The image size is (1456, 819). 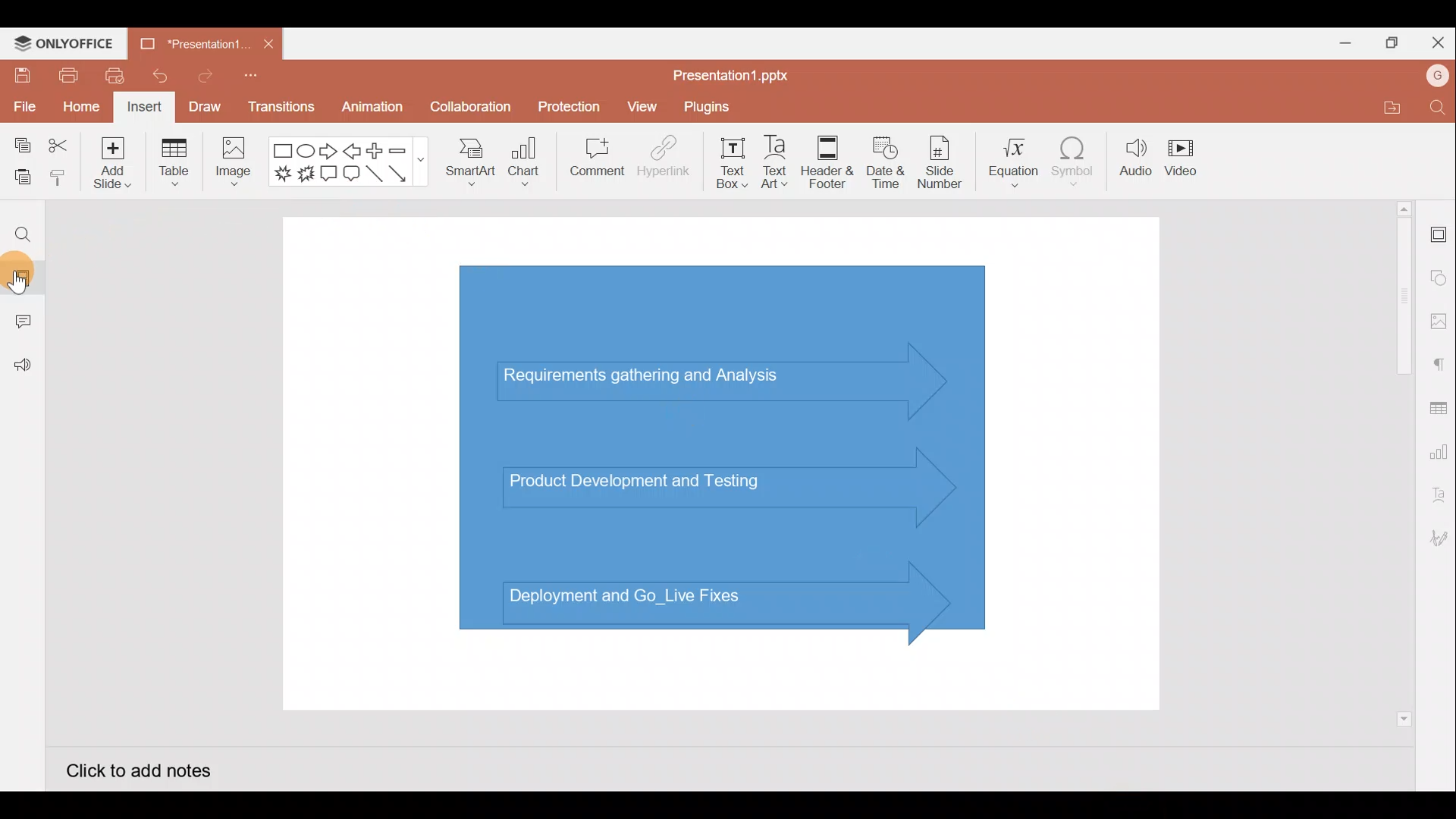 I want to click on Image, so click(x=236, y=168).